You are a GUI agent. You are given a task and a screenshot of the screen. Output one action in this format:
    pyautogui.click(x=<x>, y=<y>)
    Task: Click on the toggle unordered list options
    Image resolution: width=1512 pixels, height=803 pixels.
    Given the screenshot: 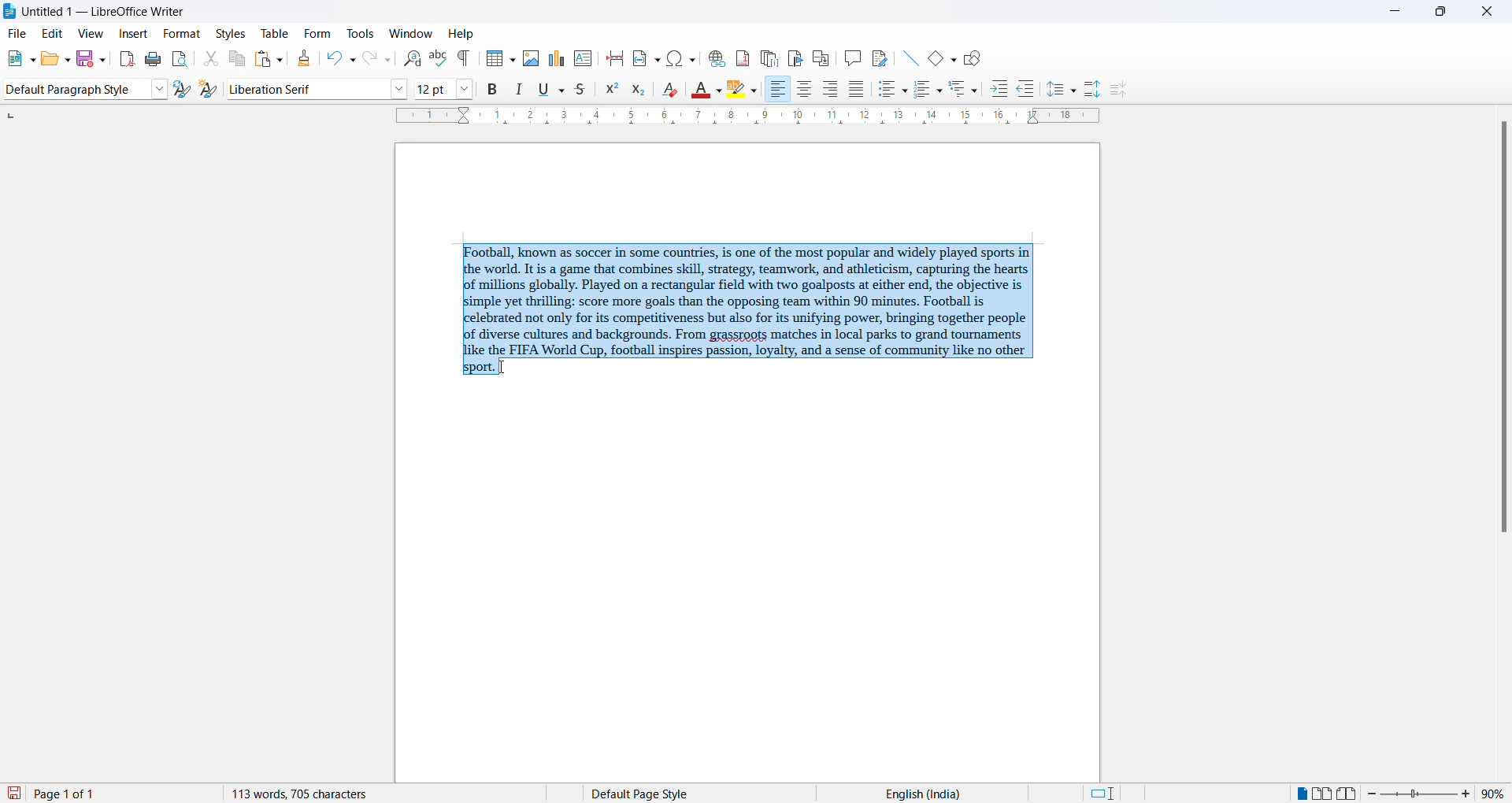 What is the action you would take?
    pyautogui.click(x=903, y=92)
    